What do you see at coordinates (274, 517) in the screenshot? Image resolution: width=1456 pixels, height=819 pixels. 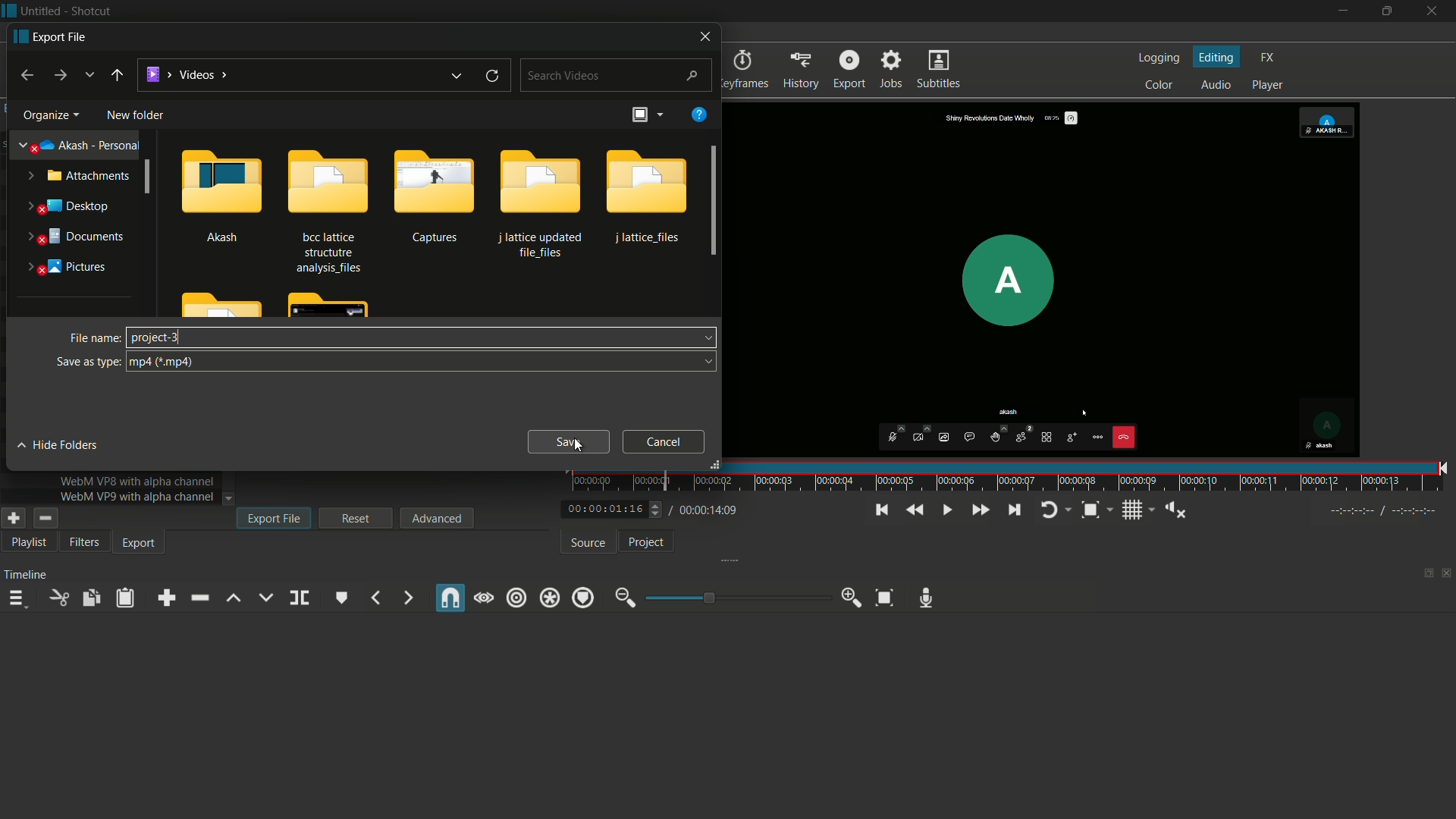 I see `export file` at bounding box center [274, 517].